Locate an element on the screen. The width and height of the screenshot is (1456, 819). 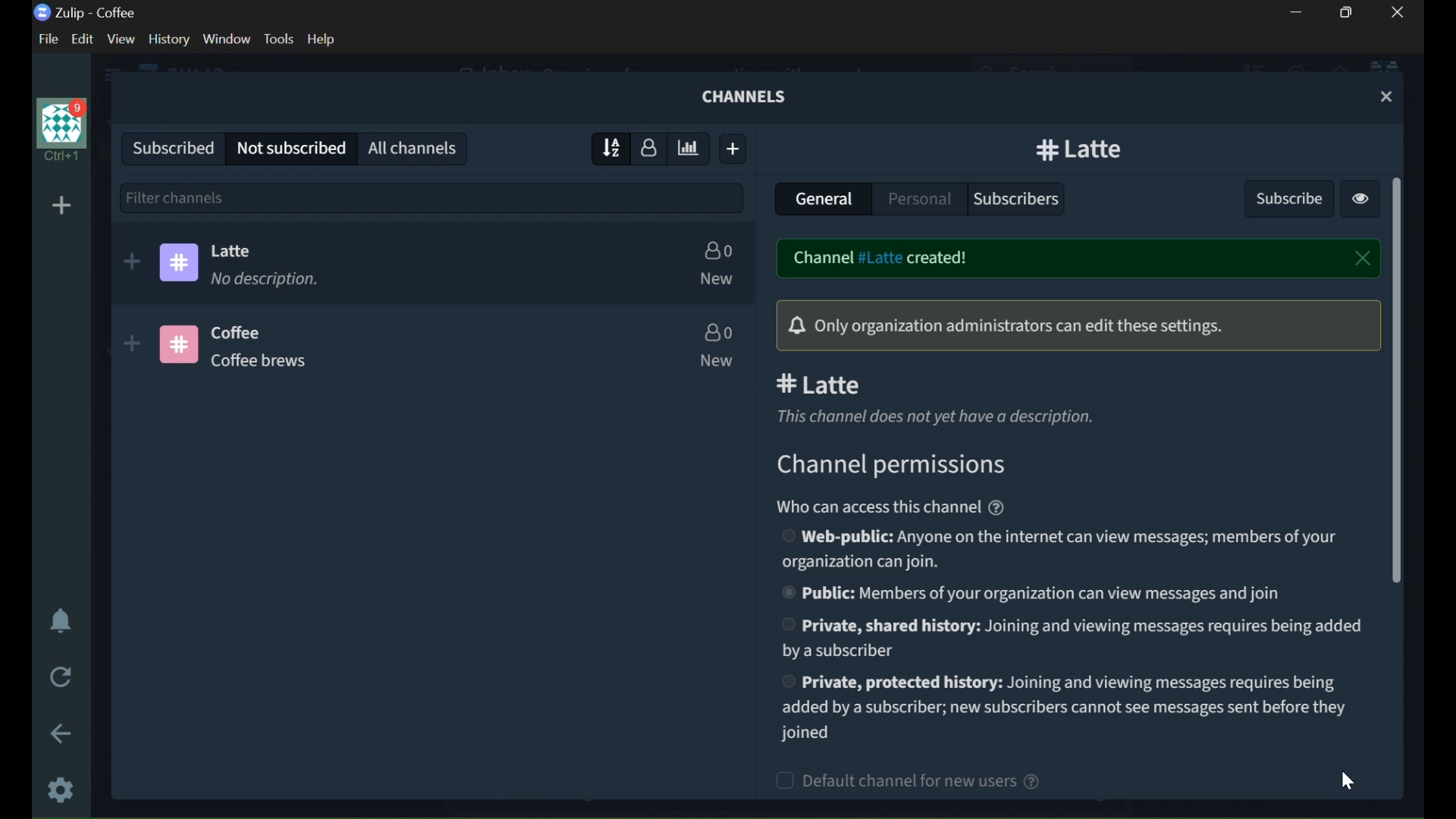
CHANNEL #Latte CREATED is located at coordinates (940, 258).